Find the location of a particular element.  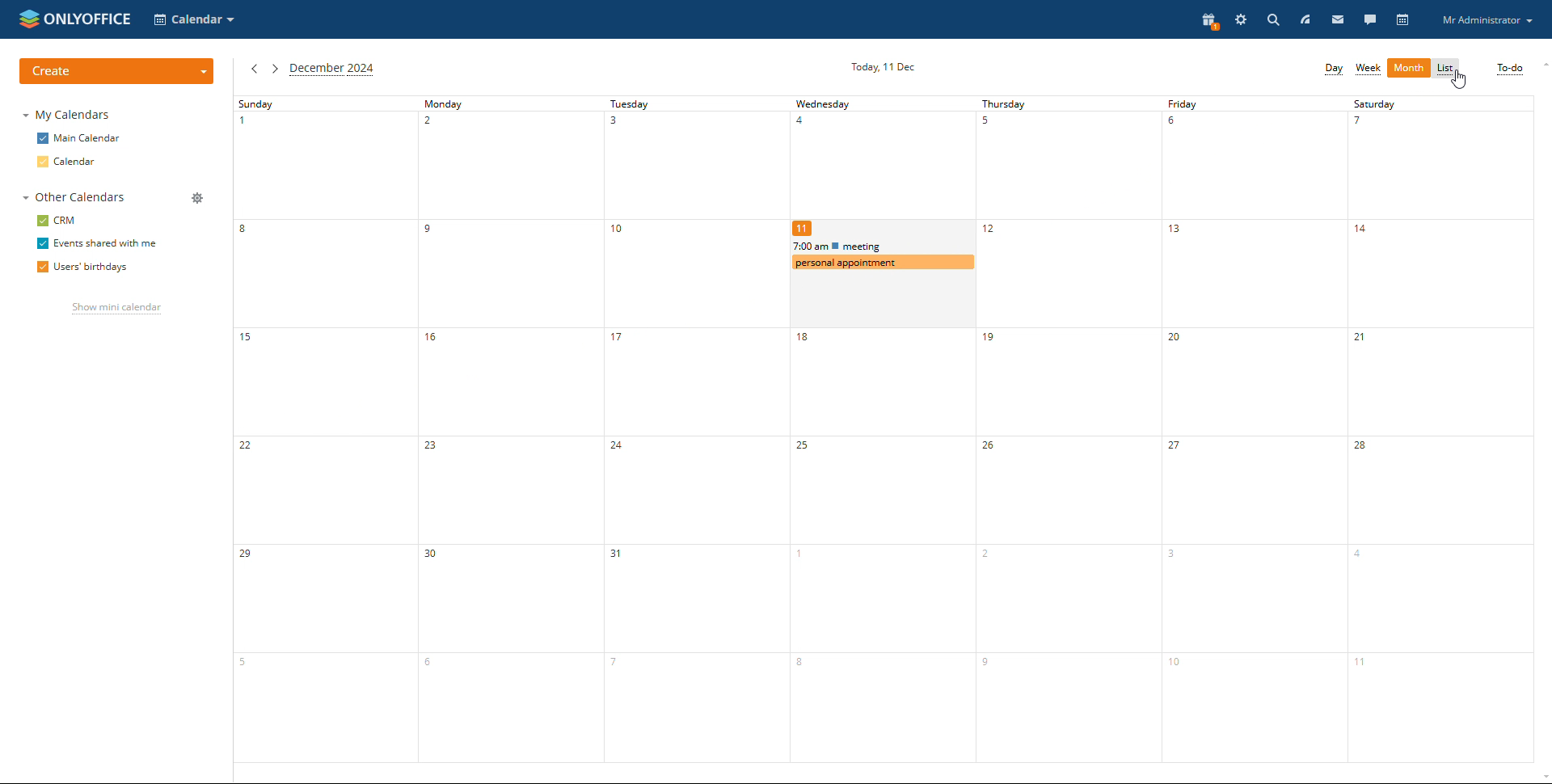

crm is located at coordinates (57, 220).